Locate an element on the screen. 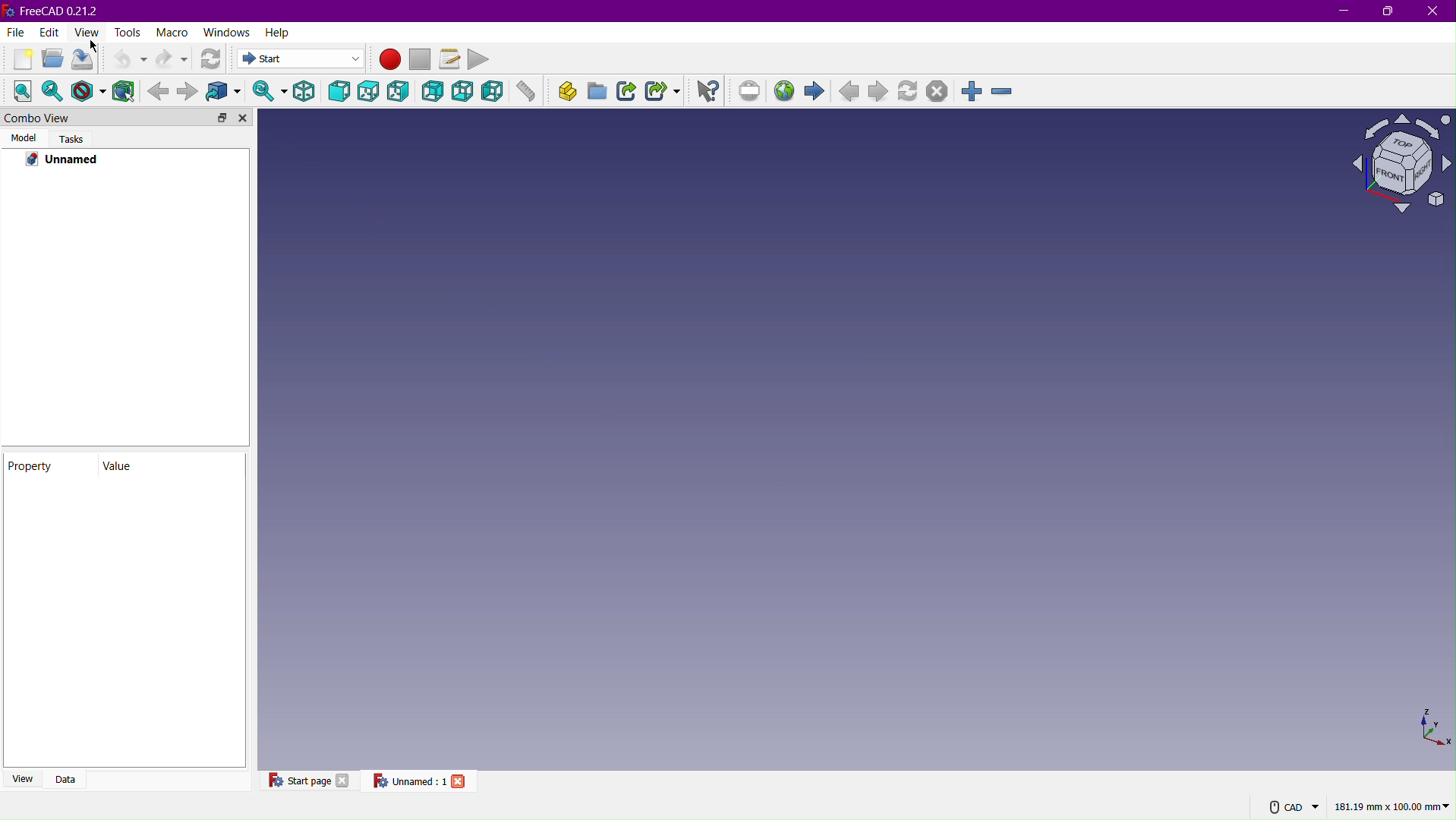 This screenshot has width=1456, height=820. Start is located at coordinates (301, 58).